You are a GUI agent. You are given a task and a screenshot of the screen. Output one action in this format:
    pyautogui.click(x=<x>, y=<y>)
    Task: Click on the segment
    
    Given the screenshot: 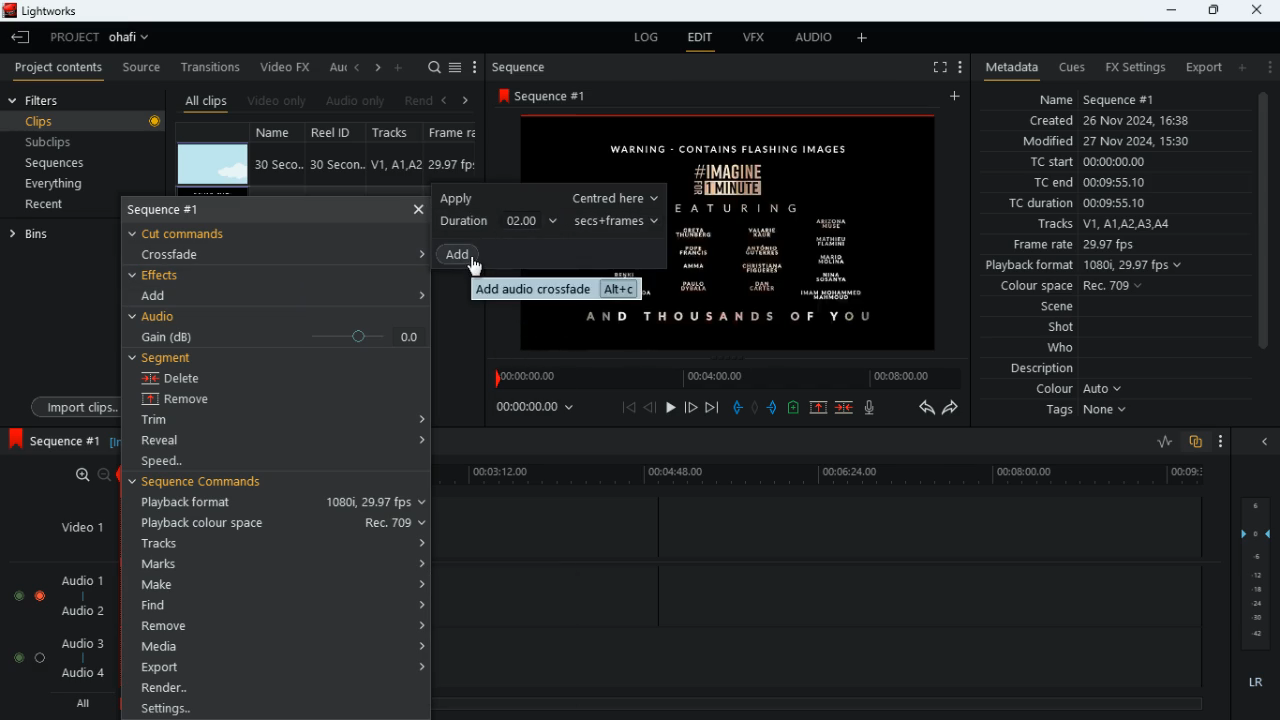 What is the action you would take?
    pyautogui.click(x=166, y=358)
    